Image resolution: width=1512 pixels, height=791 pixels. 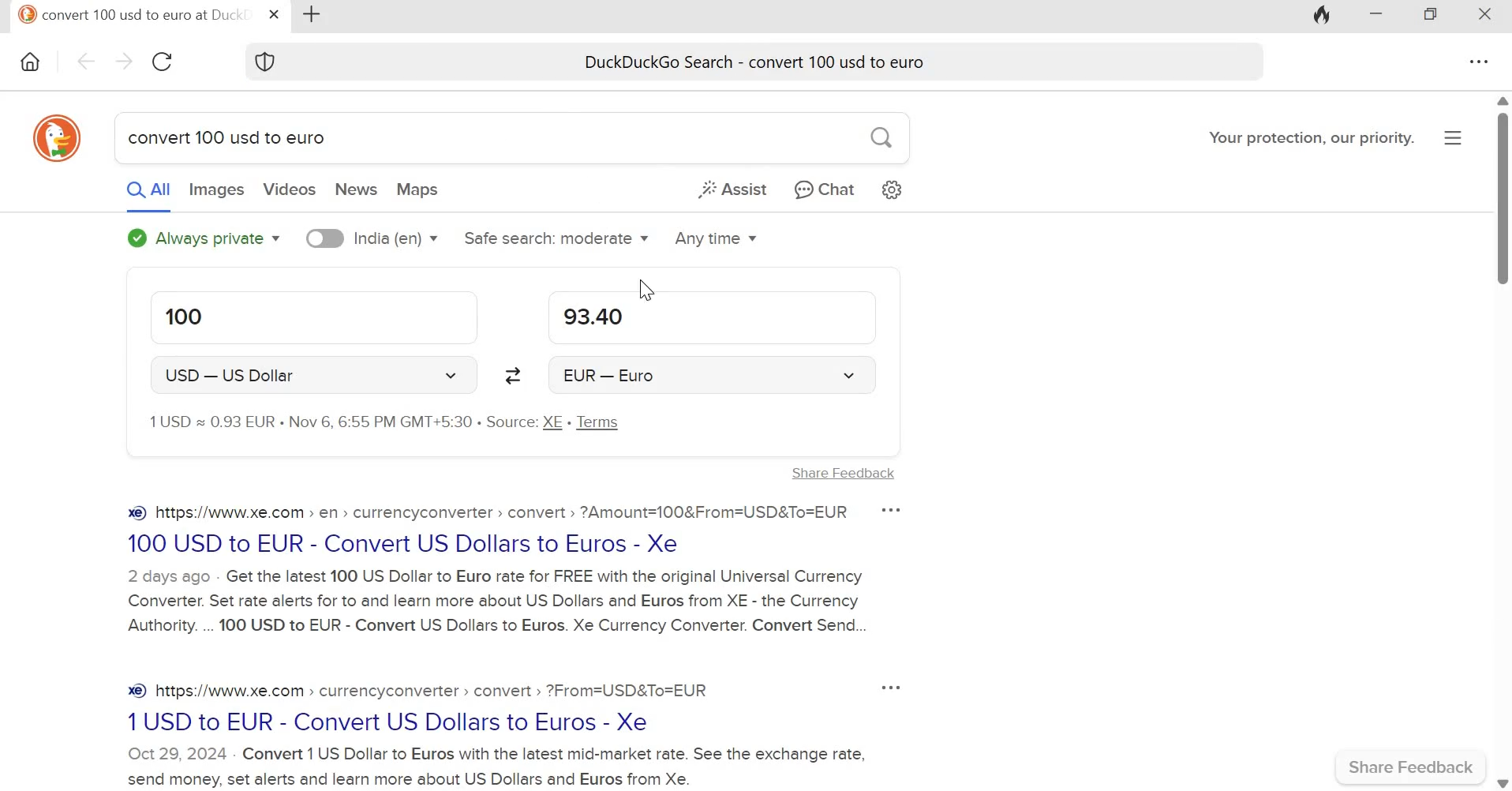 What do you see at coordinates (754, 58) in the screenshot?
I see `DuckDuckGo Search -  convert 100 usd to euro` at bounding box center [754, 58].